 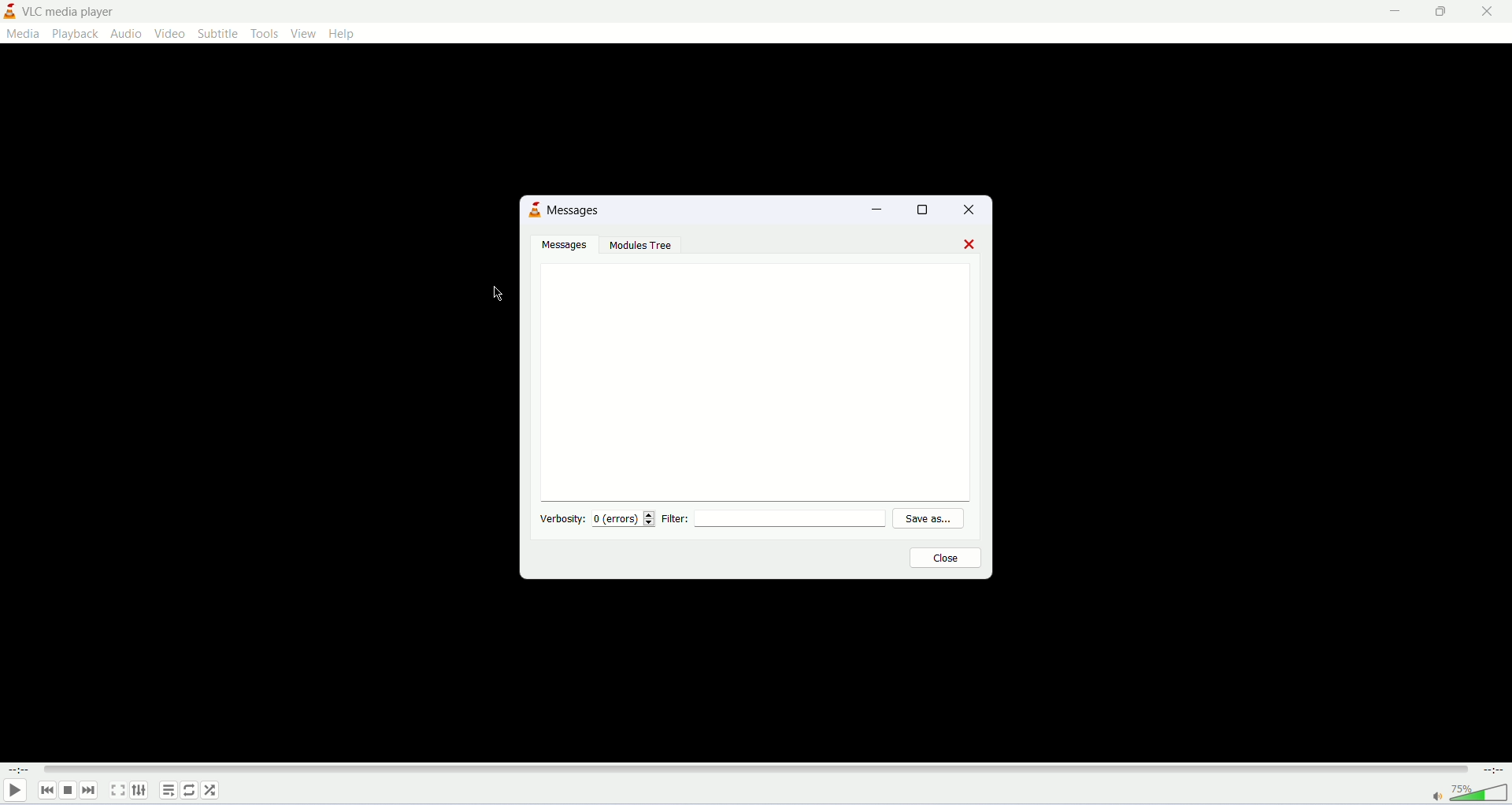 I want to click on modules tree, so click(x=643, y=247).